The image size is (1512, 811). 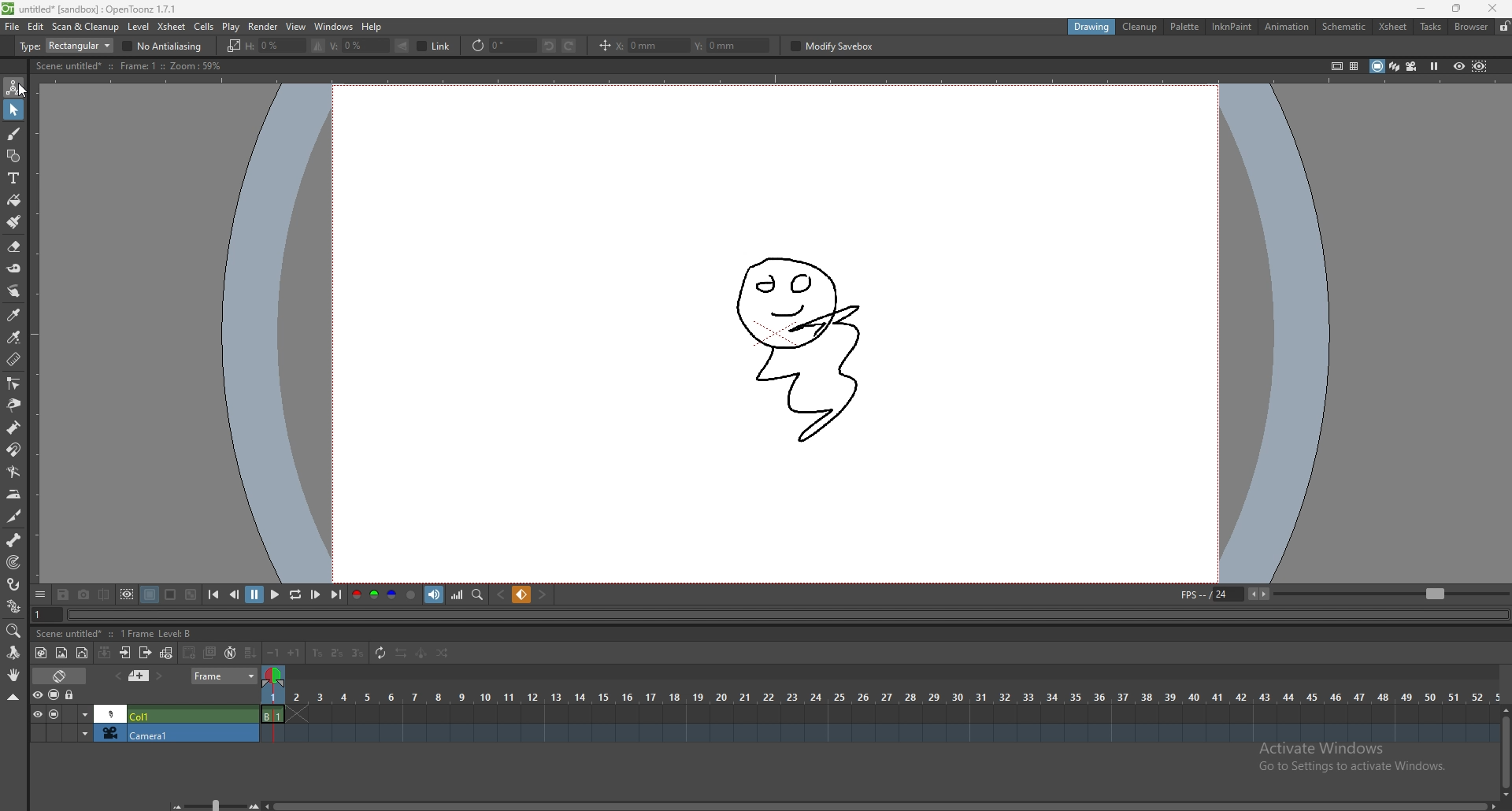 What do you see at coordinates (13, 26) in the screenshot?
I see `file` at bounding box center [13, 26].